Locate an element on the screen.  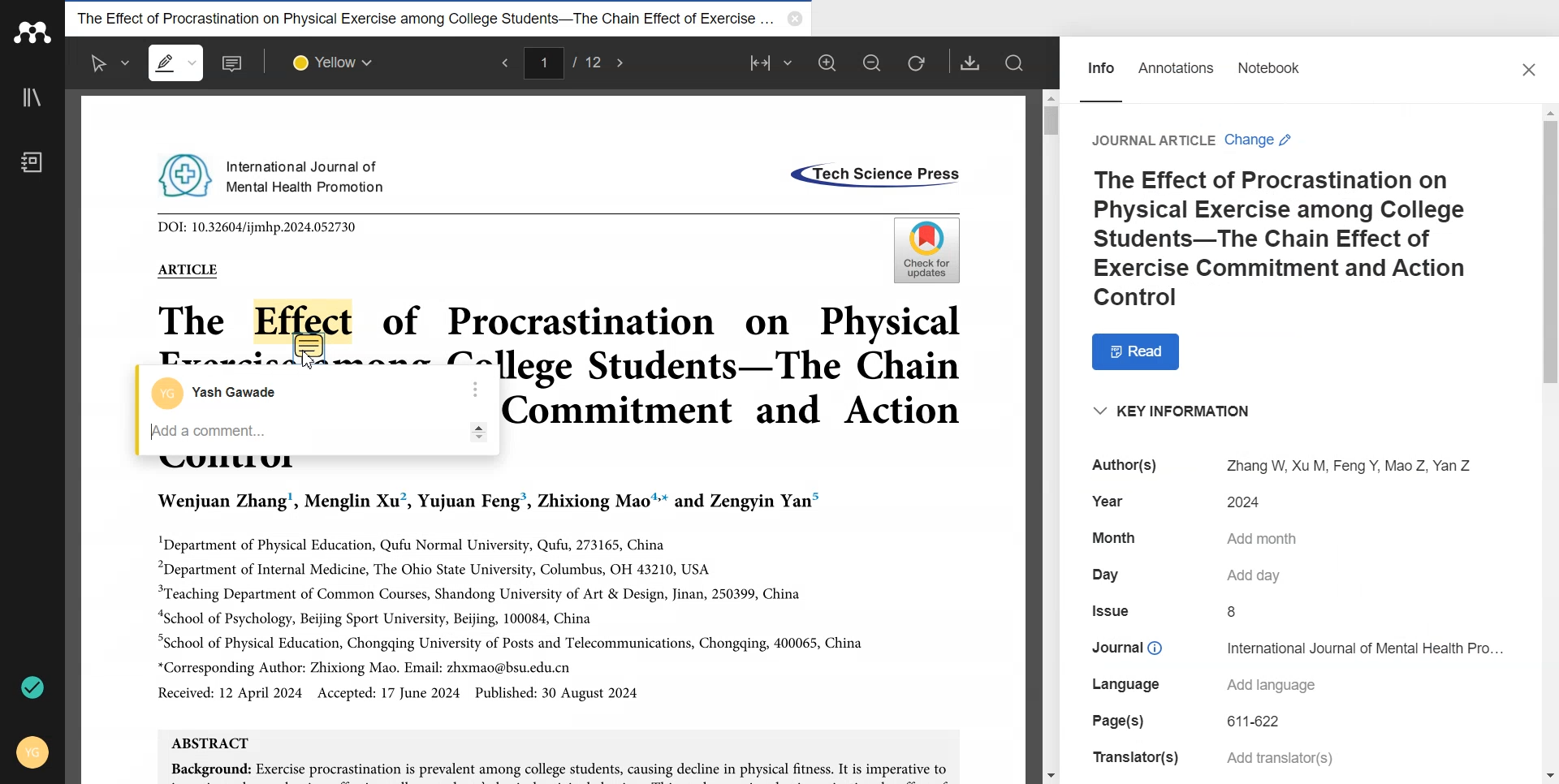
Issue 8 is located at coordinates (1168, 611).